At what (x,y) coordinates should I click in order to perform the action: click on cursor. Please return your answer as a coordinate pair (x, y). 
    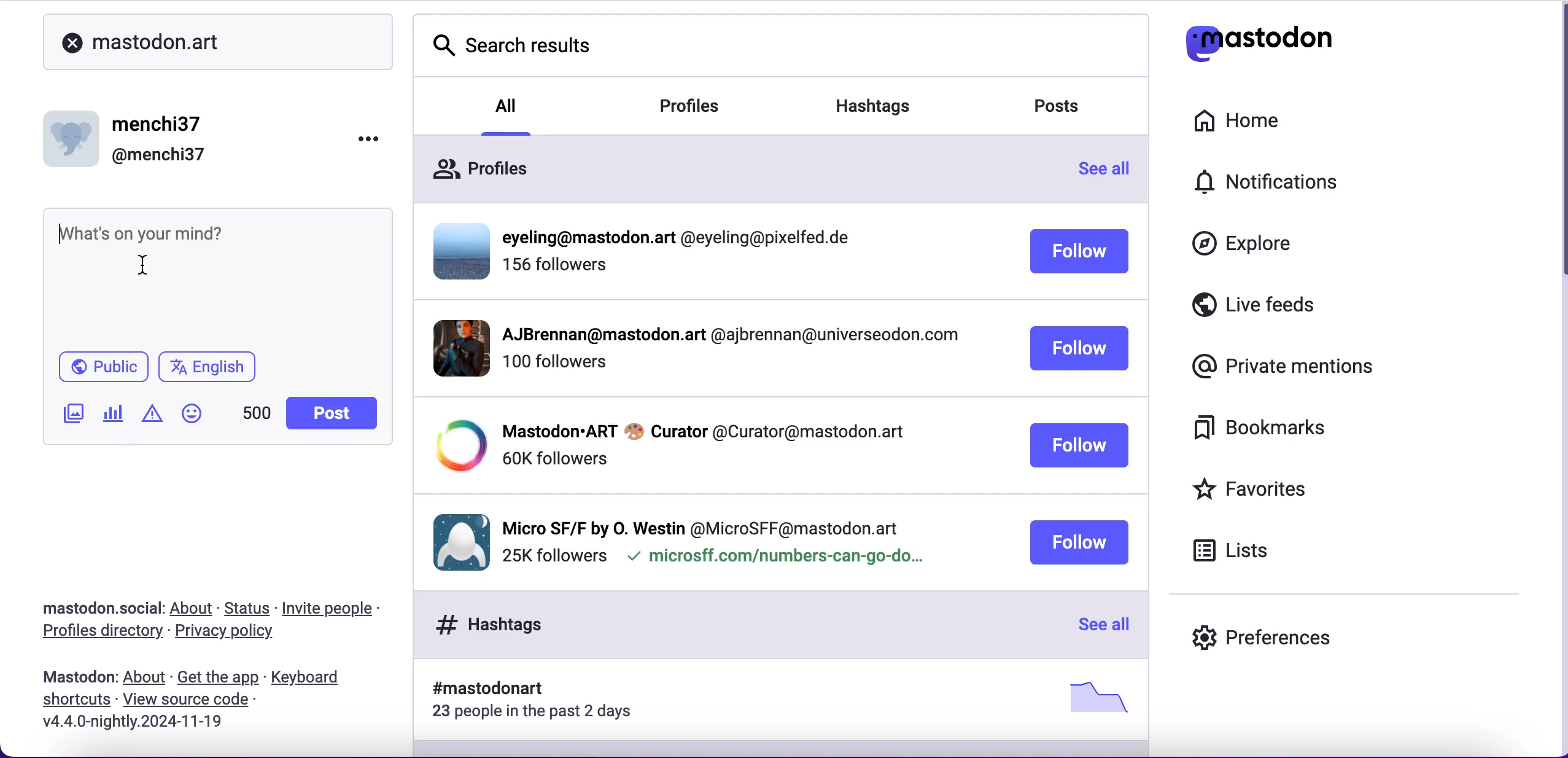
    Looking at the image, I should click on (153, 264).